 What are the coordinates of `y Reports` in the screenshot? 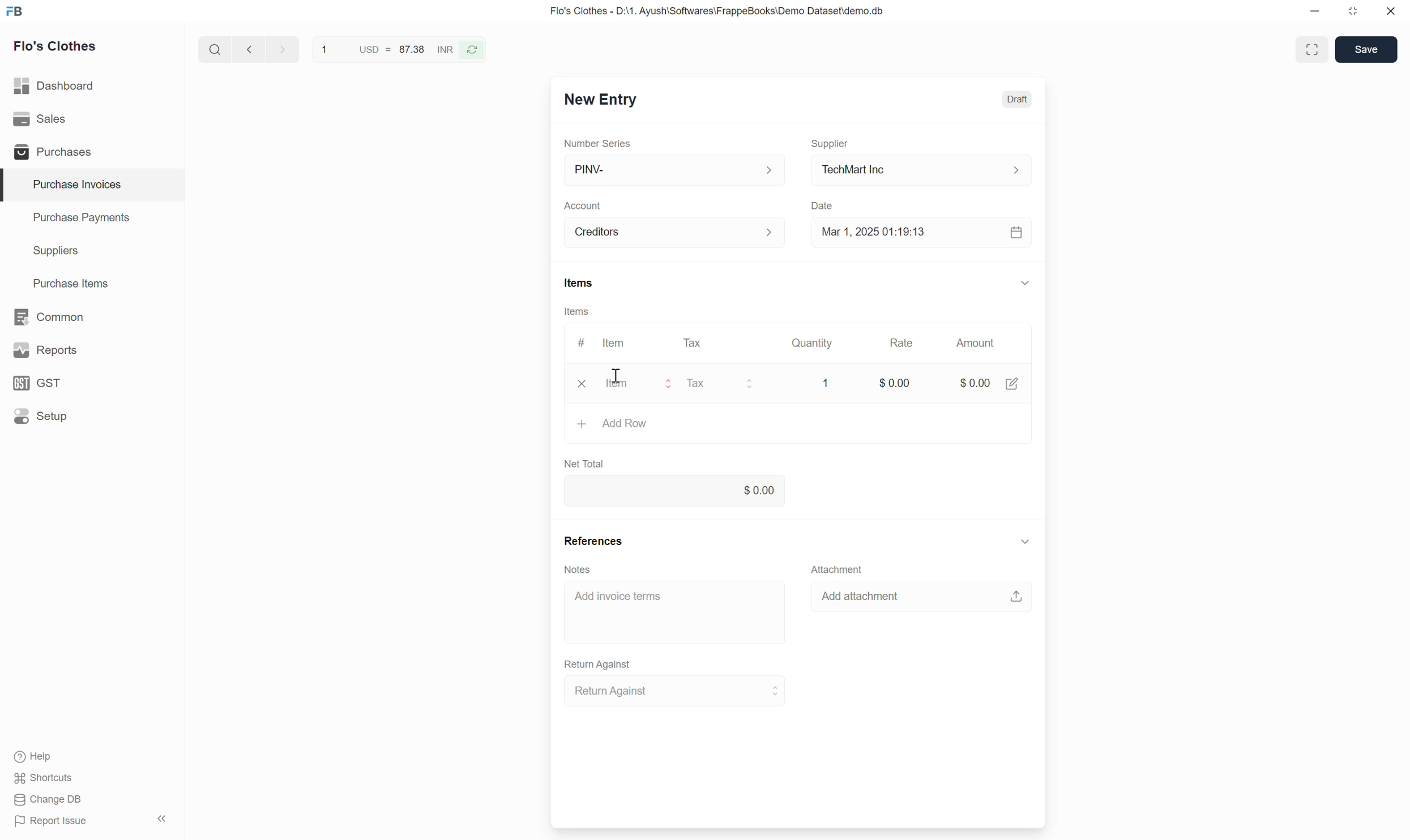 It's located at (45, 351).